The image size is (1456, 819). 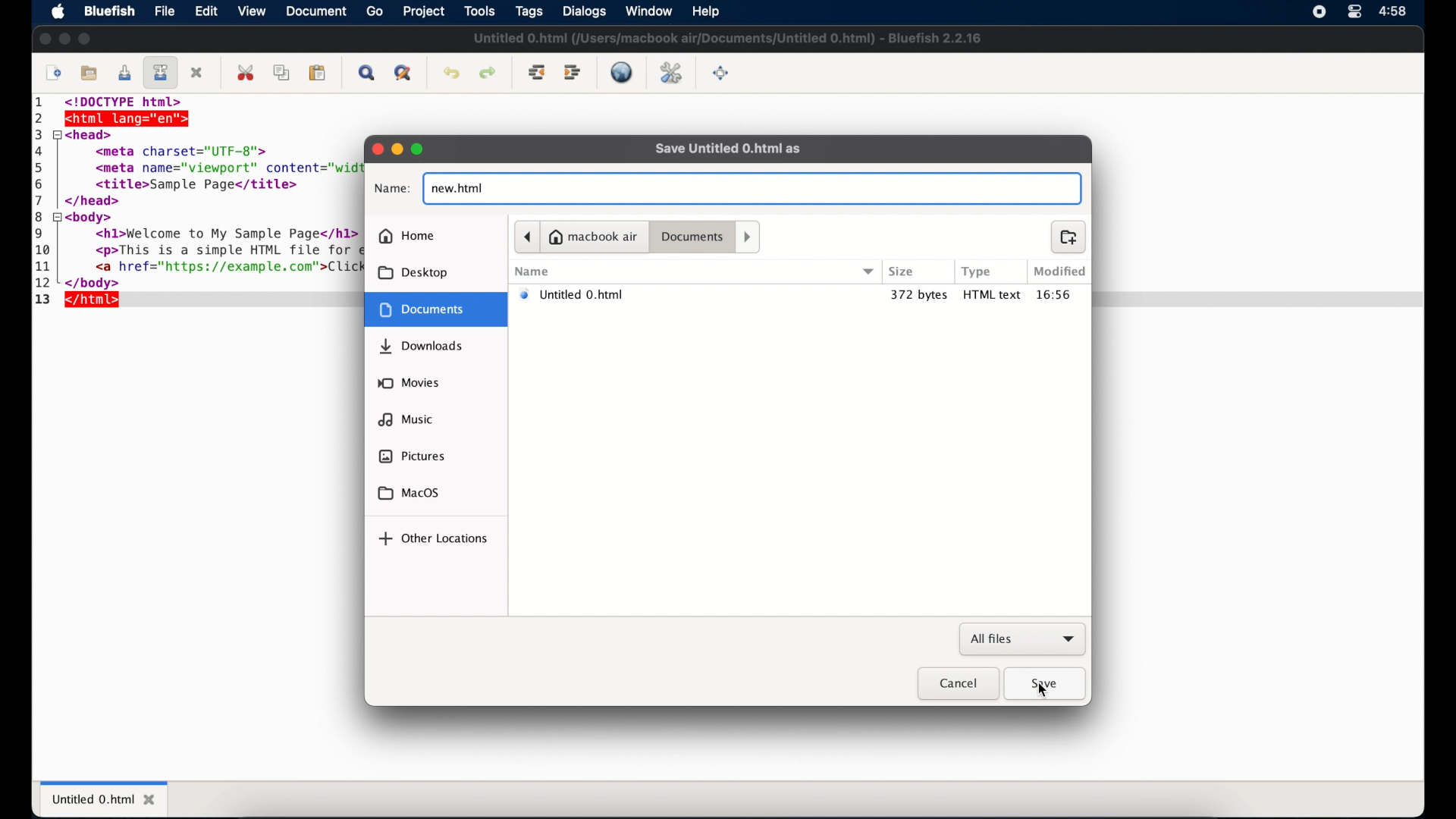 What do you see at coordinates (1354, 12) in the screenshot?
I see `control center` at bounding box center [1354, 12].